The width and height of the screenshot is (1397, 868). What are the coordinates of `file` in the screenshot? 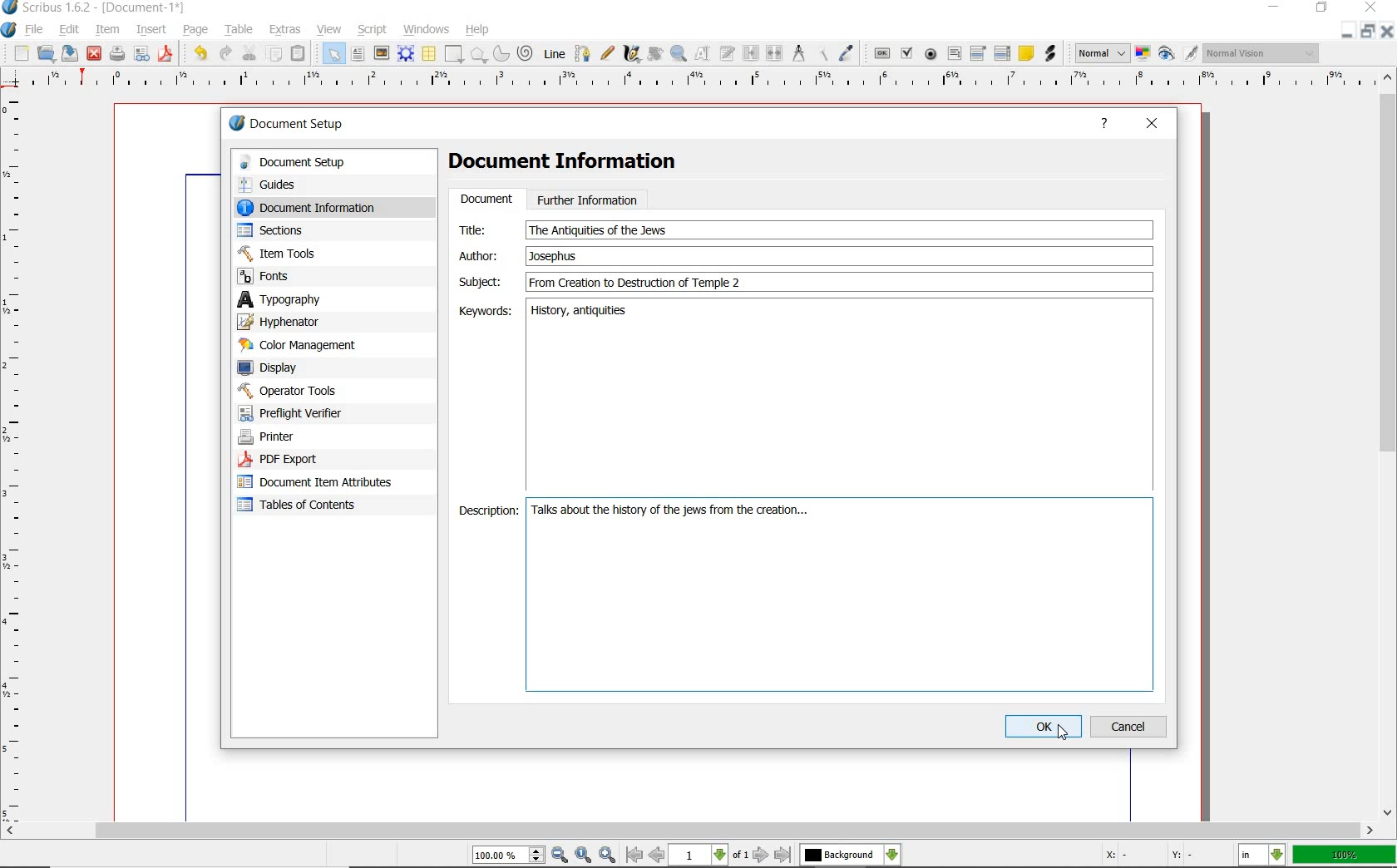 It's located at (35, 28).